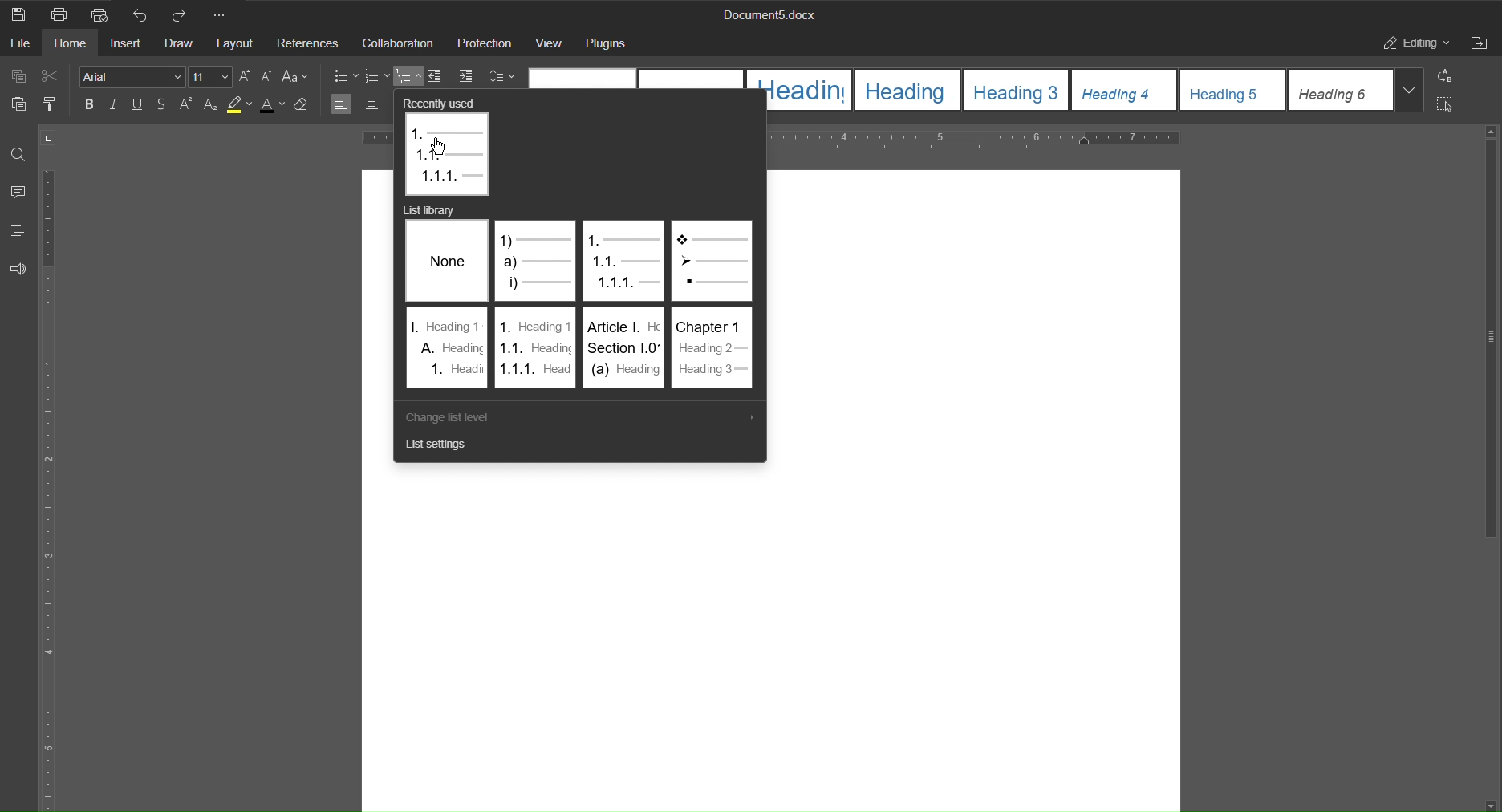  Describe the element at coordinates (500, 77) in the screenshot. I see `Line Spacing` at that location.